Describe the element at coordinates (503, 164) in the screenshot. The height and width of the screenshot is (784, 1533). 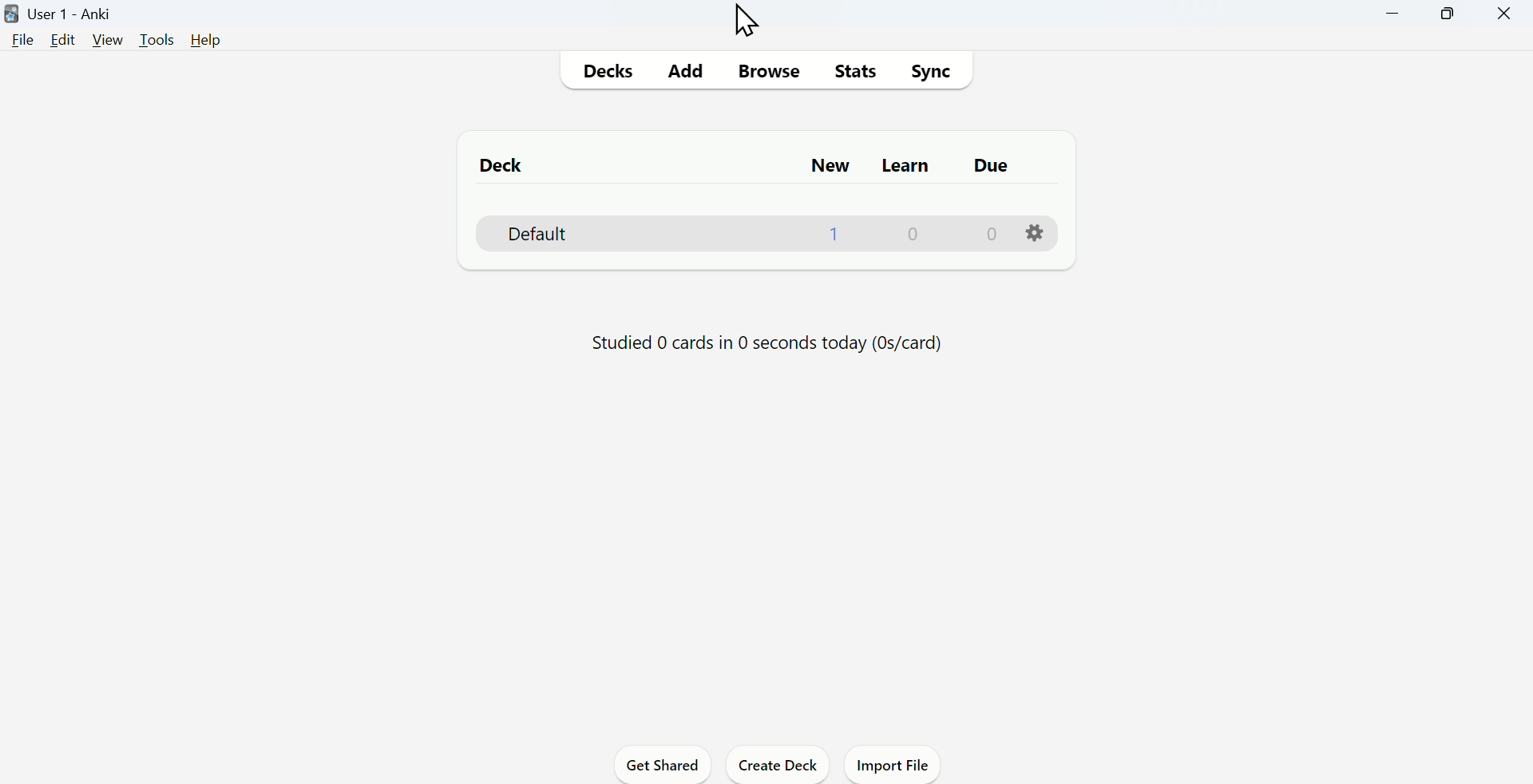
I see `Deck` at that location.